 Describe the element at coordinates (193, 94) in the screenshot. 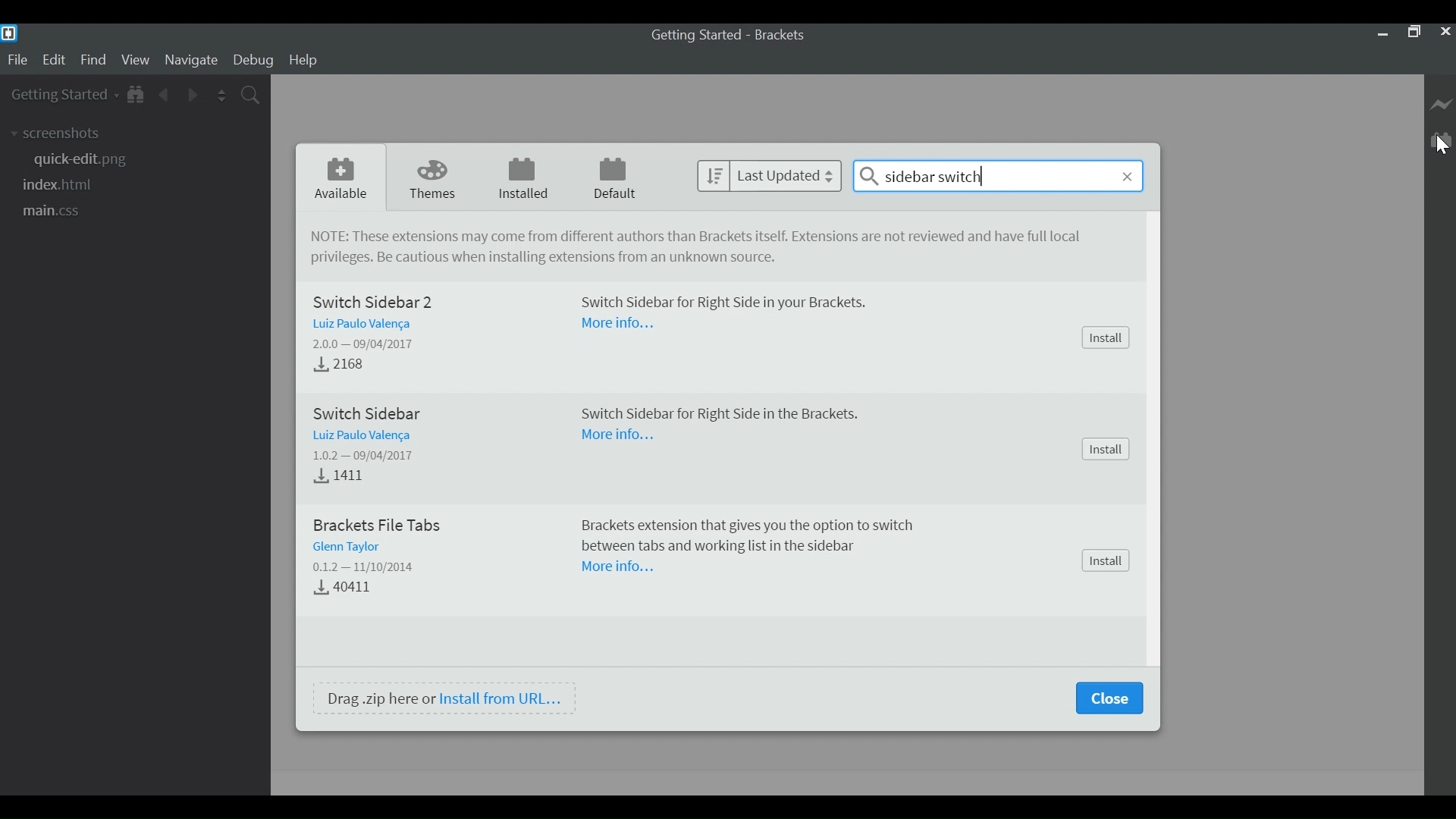

I see `Navigate Forward` at that location.